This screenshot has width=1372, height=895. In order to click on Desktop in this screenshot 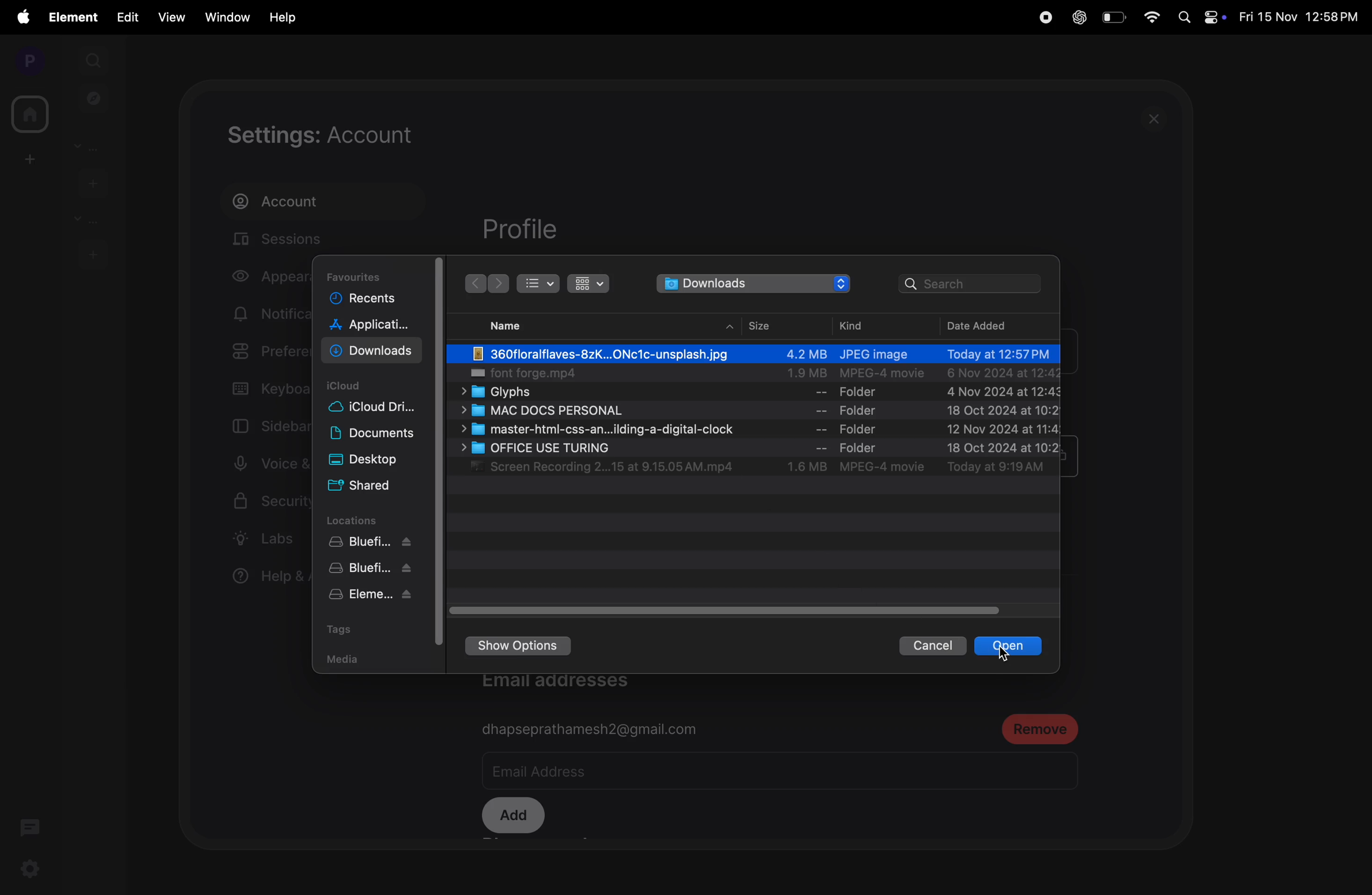, I will do `click(375, 462)`.